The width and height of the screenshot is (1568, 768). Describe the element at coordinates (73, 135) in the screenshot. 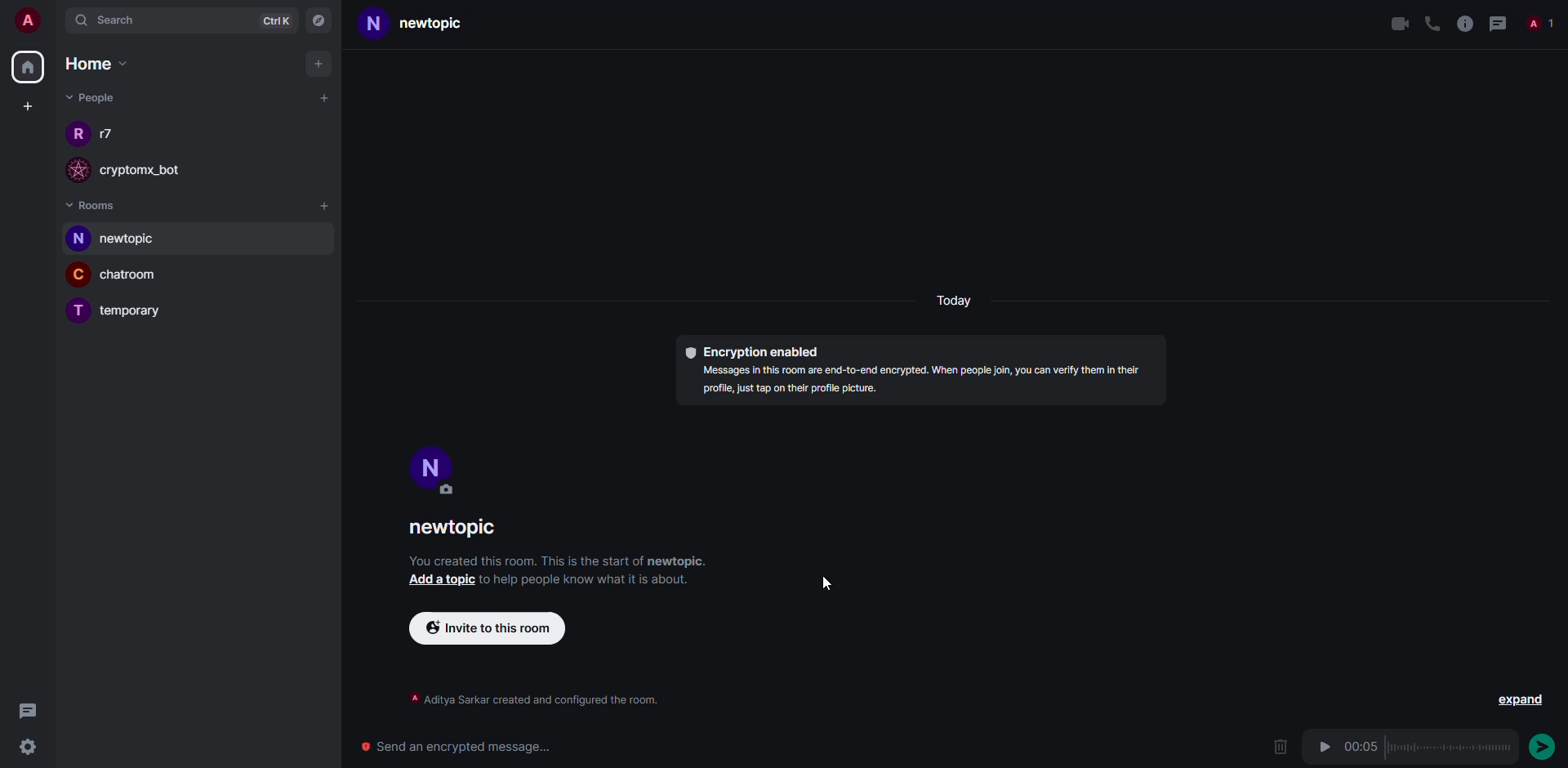

I see `R` at that location.